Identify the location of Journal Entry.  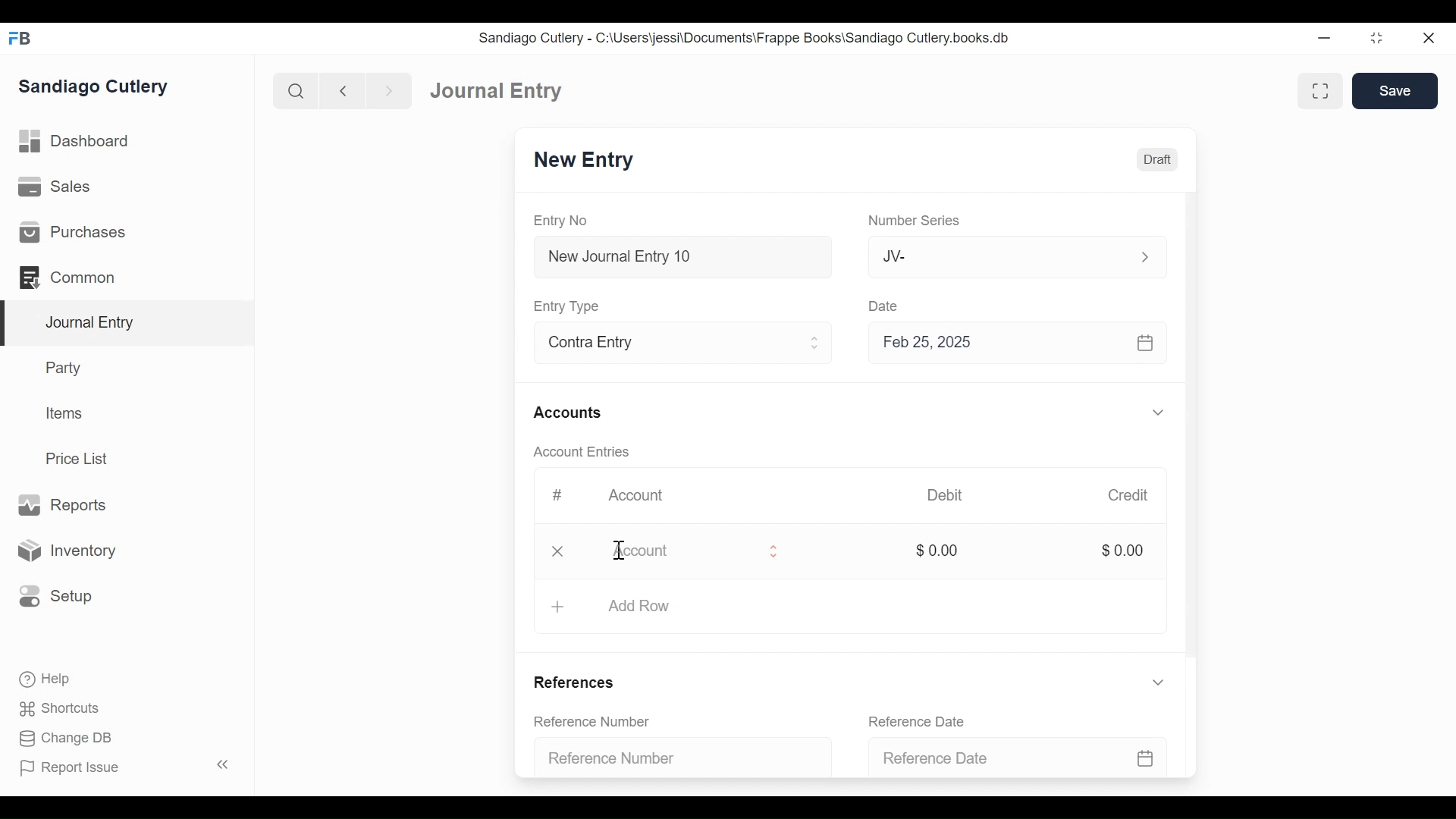
(499, 92).